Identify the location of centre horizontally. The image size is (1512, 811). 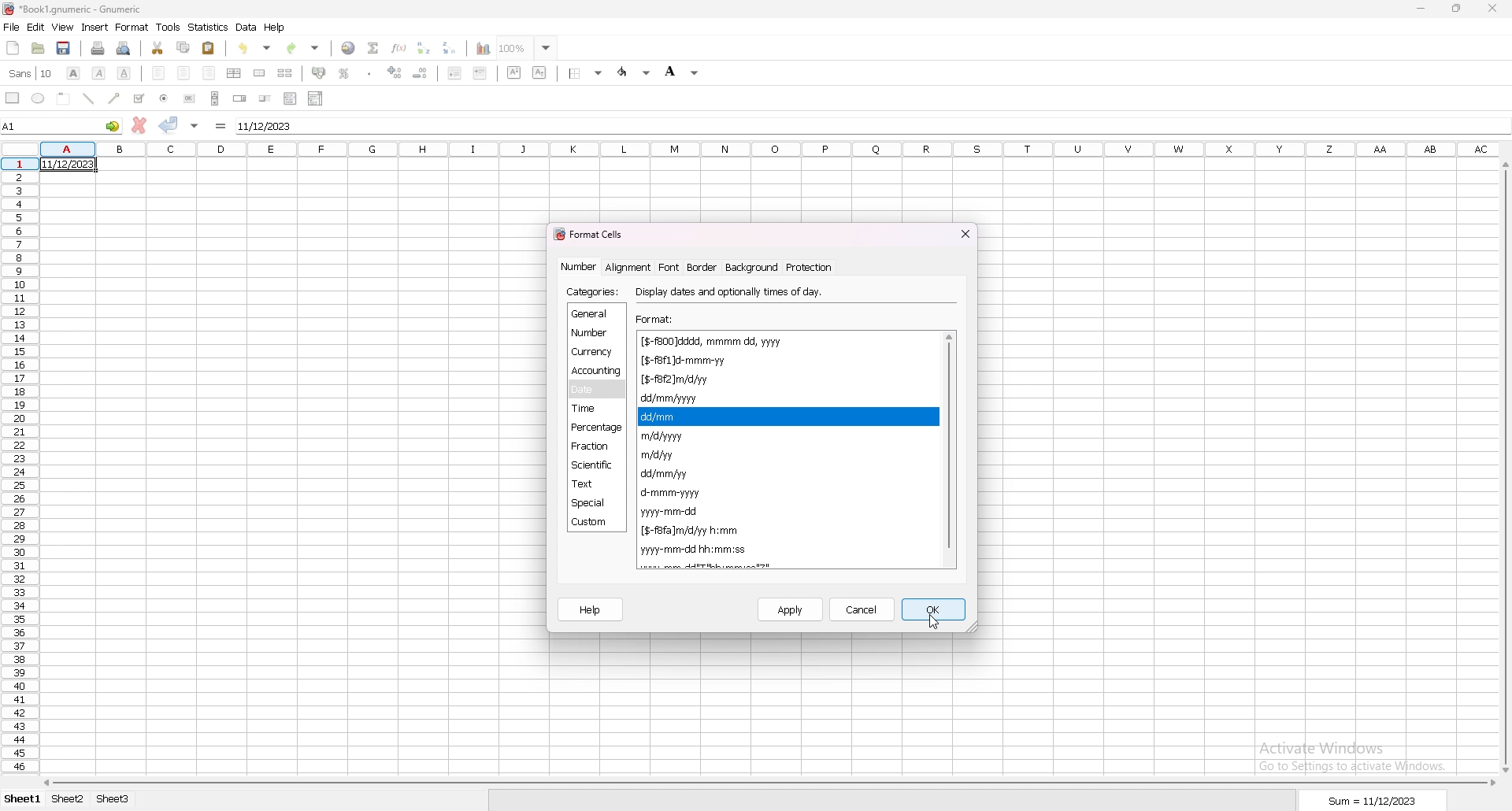
(234, 73).